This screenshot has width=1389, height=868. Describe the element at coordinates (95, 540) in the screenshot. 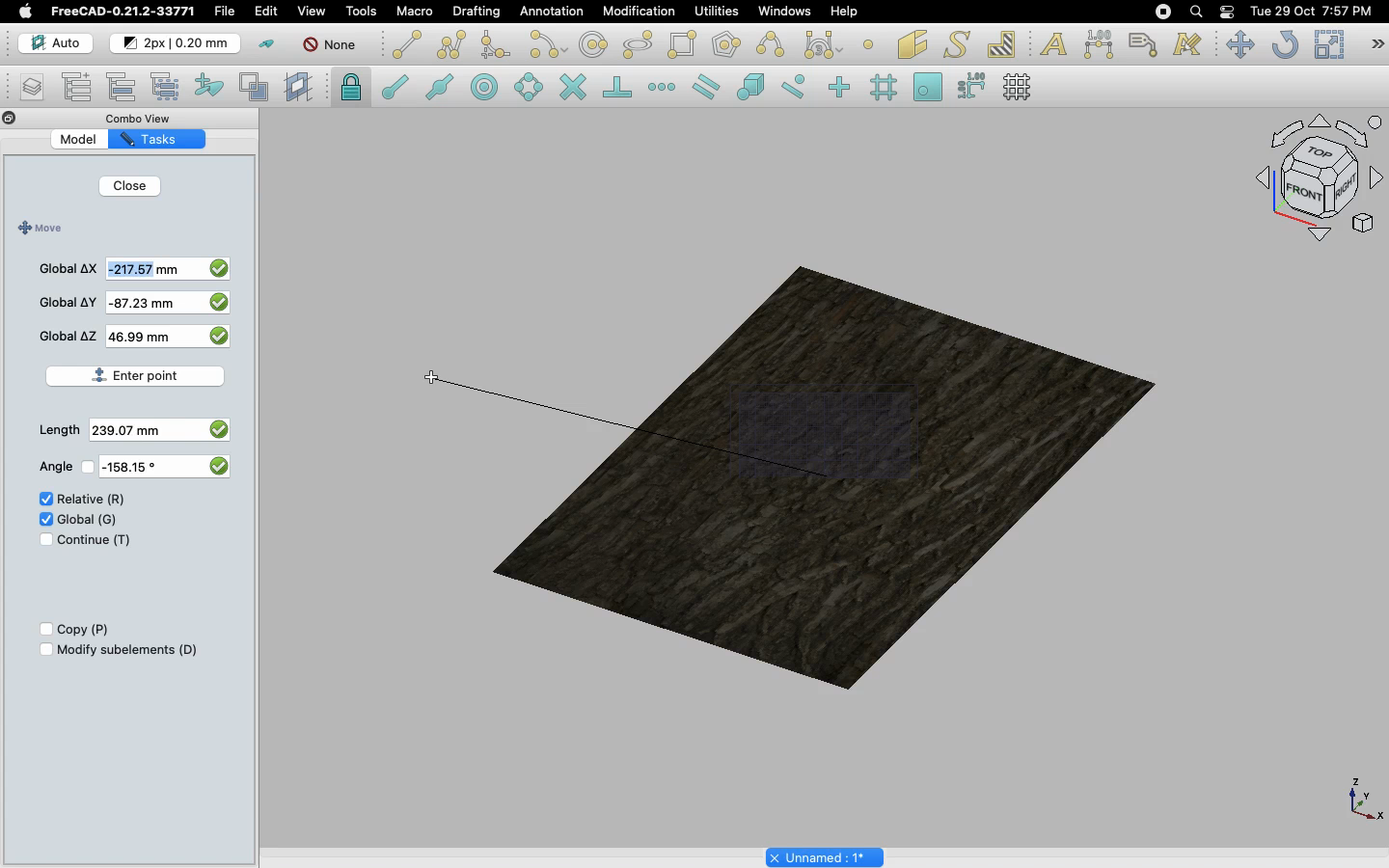

I see `Continue ` at that location.